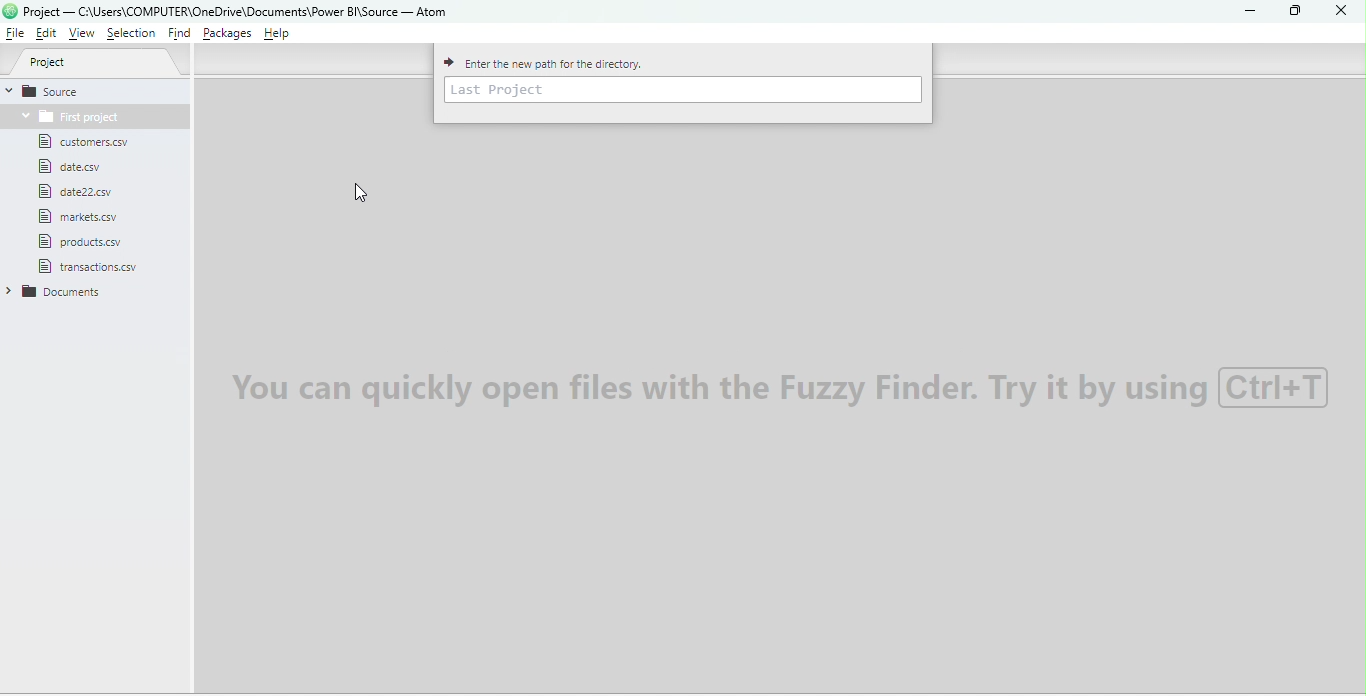  Describe the element at coordinates (90, 142) in the screenshot. I see `File` at that location.